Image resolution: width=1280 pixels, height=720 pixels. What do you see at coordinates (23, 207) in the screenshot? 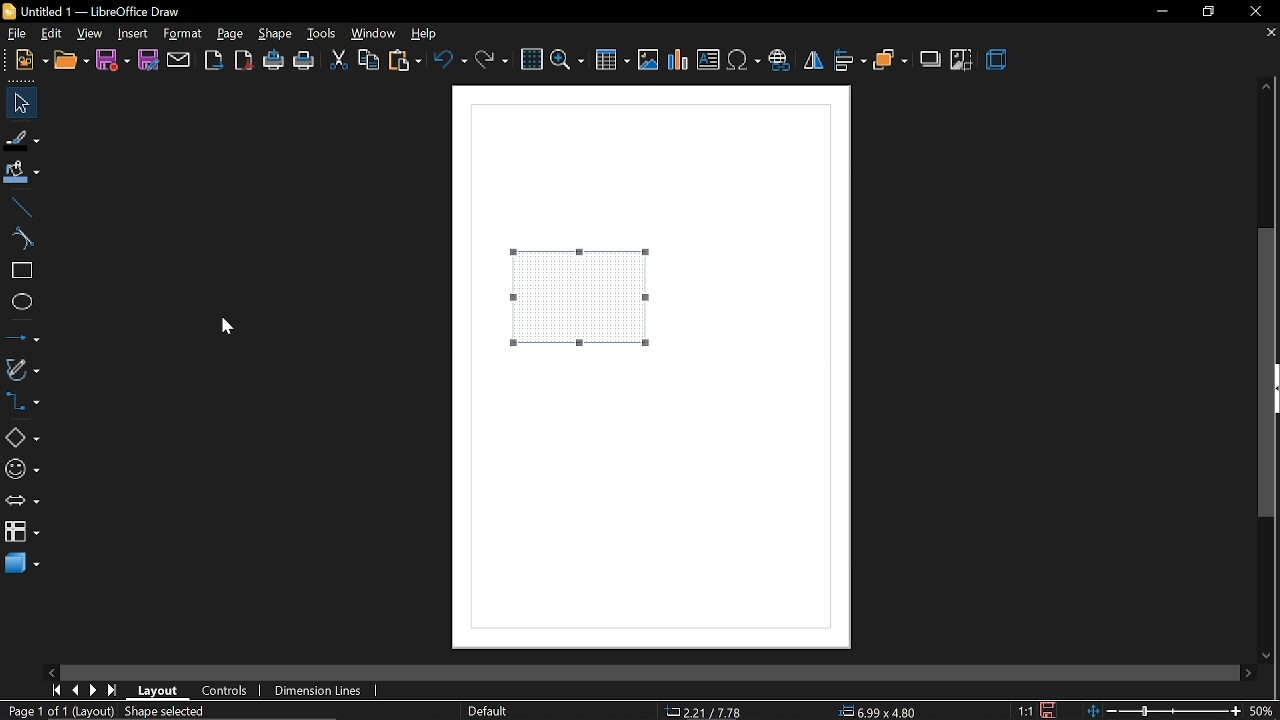
I see `line` at bounding box center [23, 207].